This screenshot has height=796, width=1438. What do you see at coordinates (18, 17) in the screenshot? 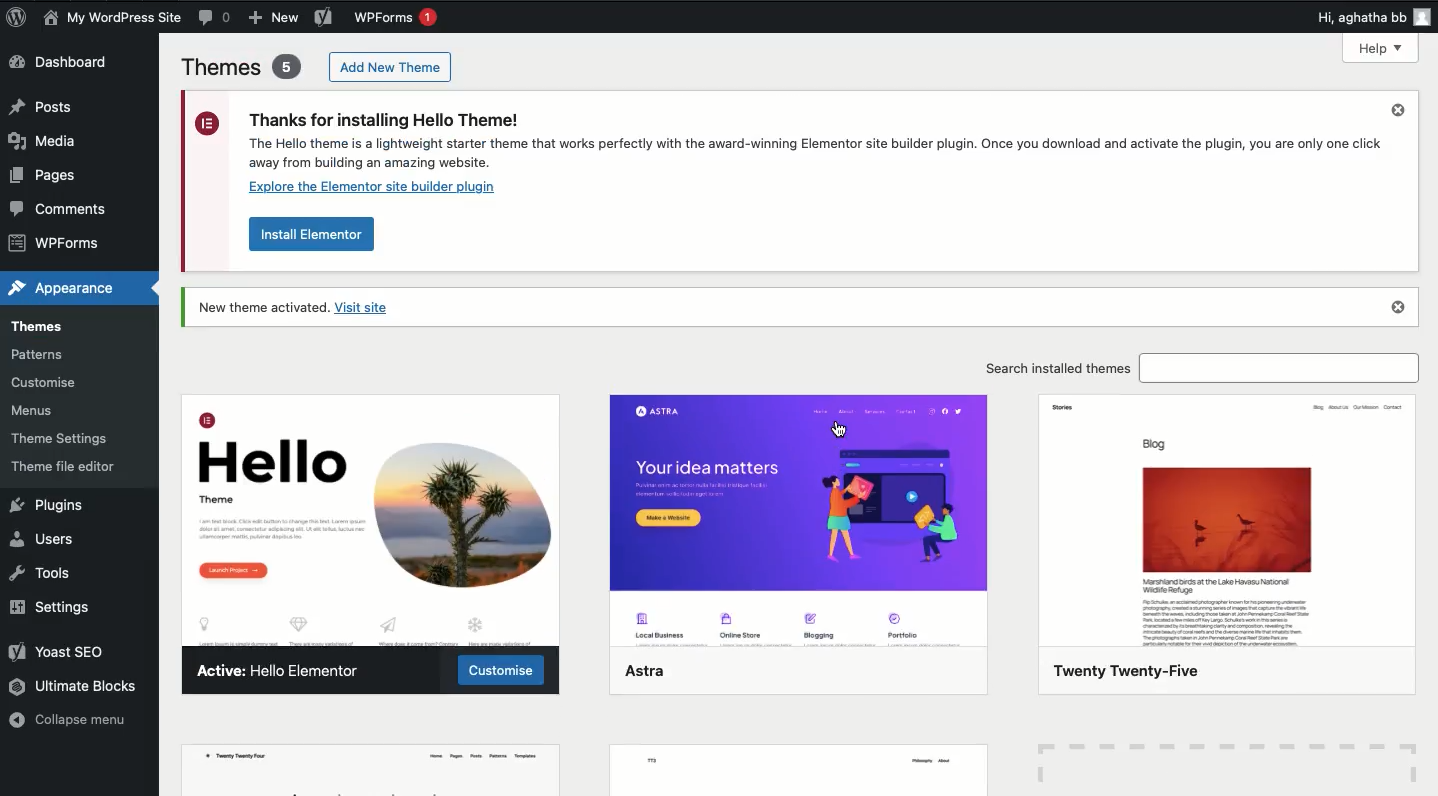
I see `Logo` at bounding box center [18, 17].